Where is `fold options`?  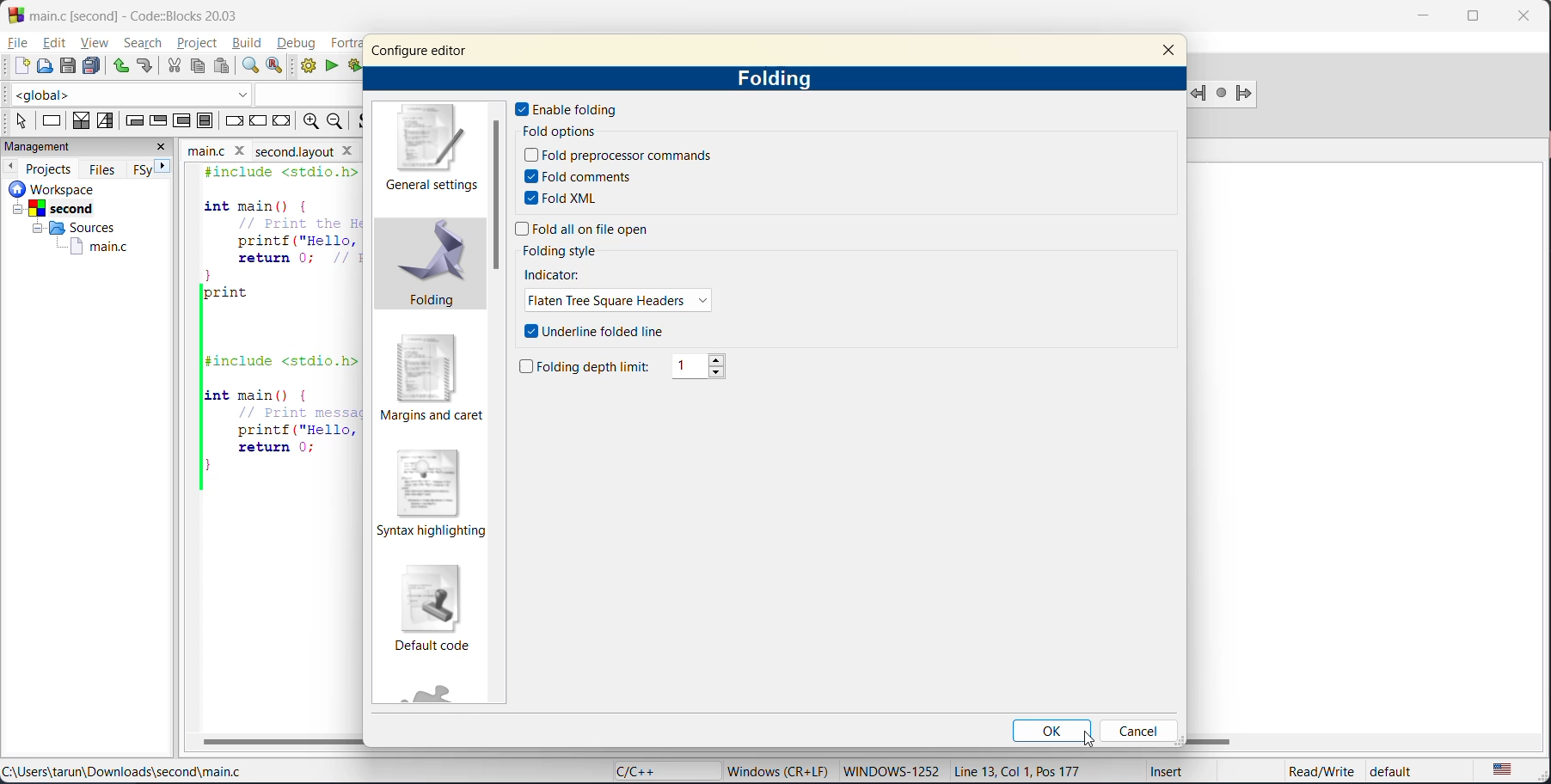
fold options is located at coordinates (573, 132).